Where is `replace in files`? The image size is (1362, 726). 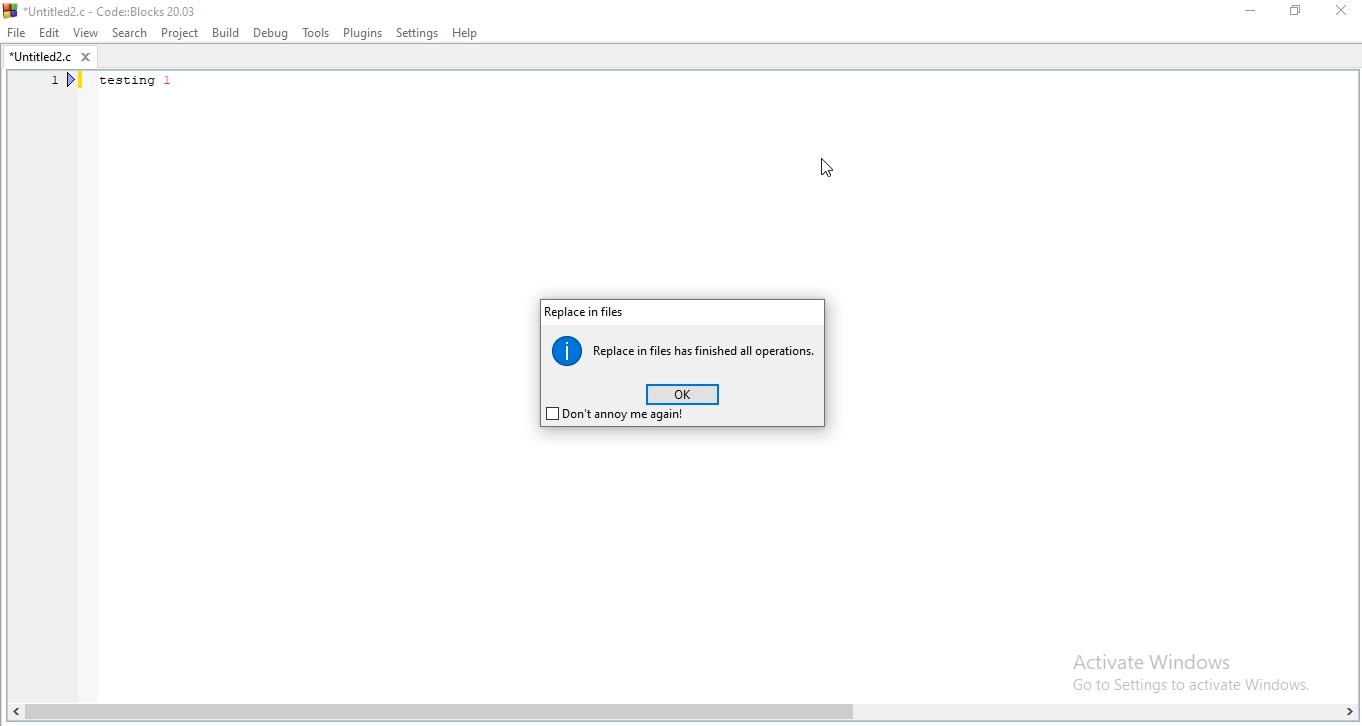 replace in files is located at coordinates (584, 312).